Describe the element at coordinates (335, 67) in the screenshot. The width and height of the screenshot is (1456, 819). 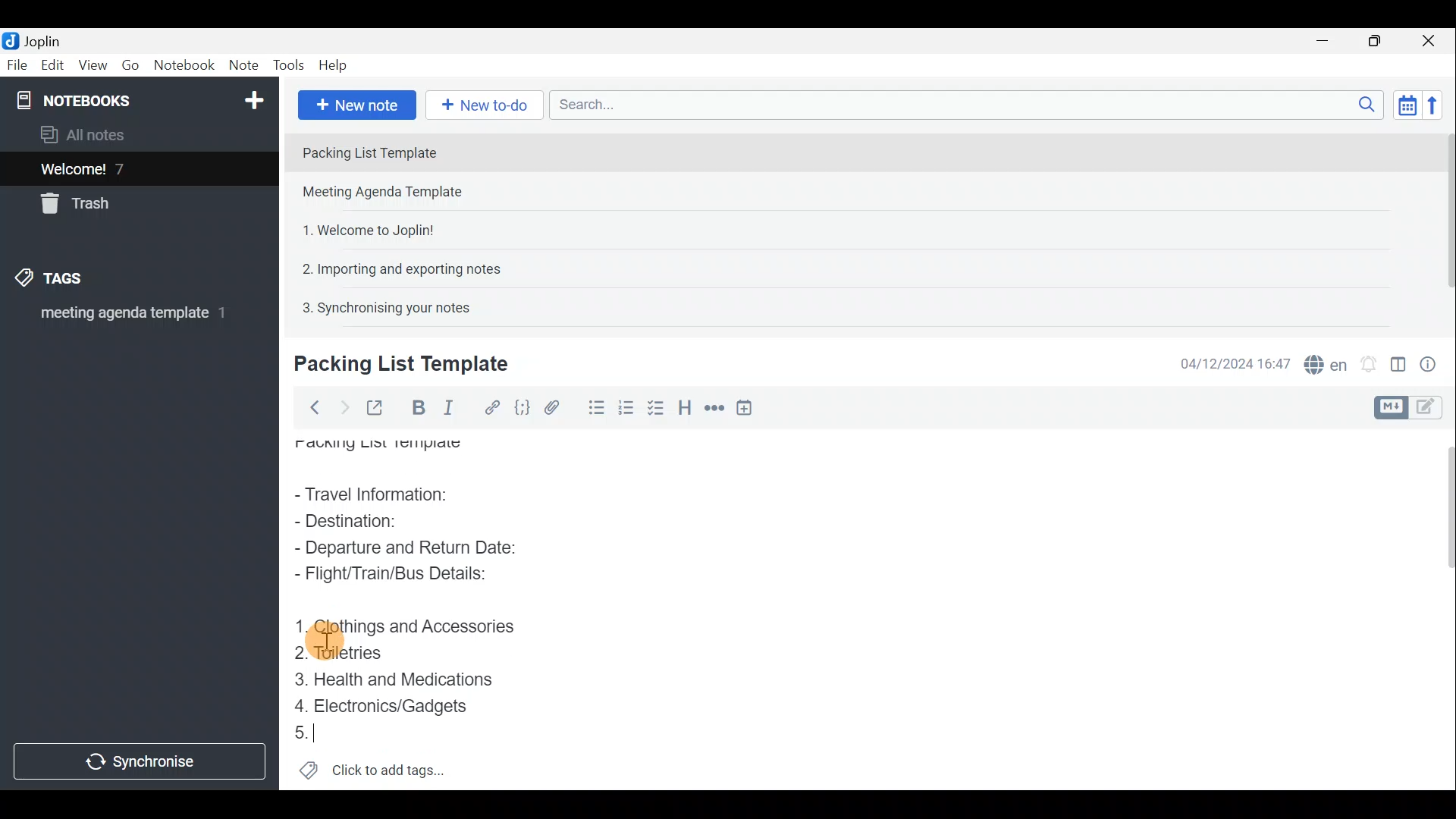
I see `Help` at that location.